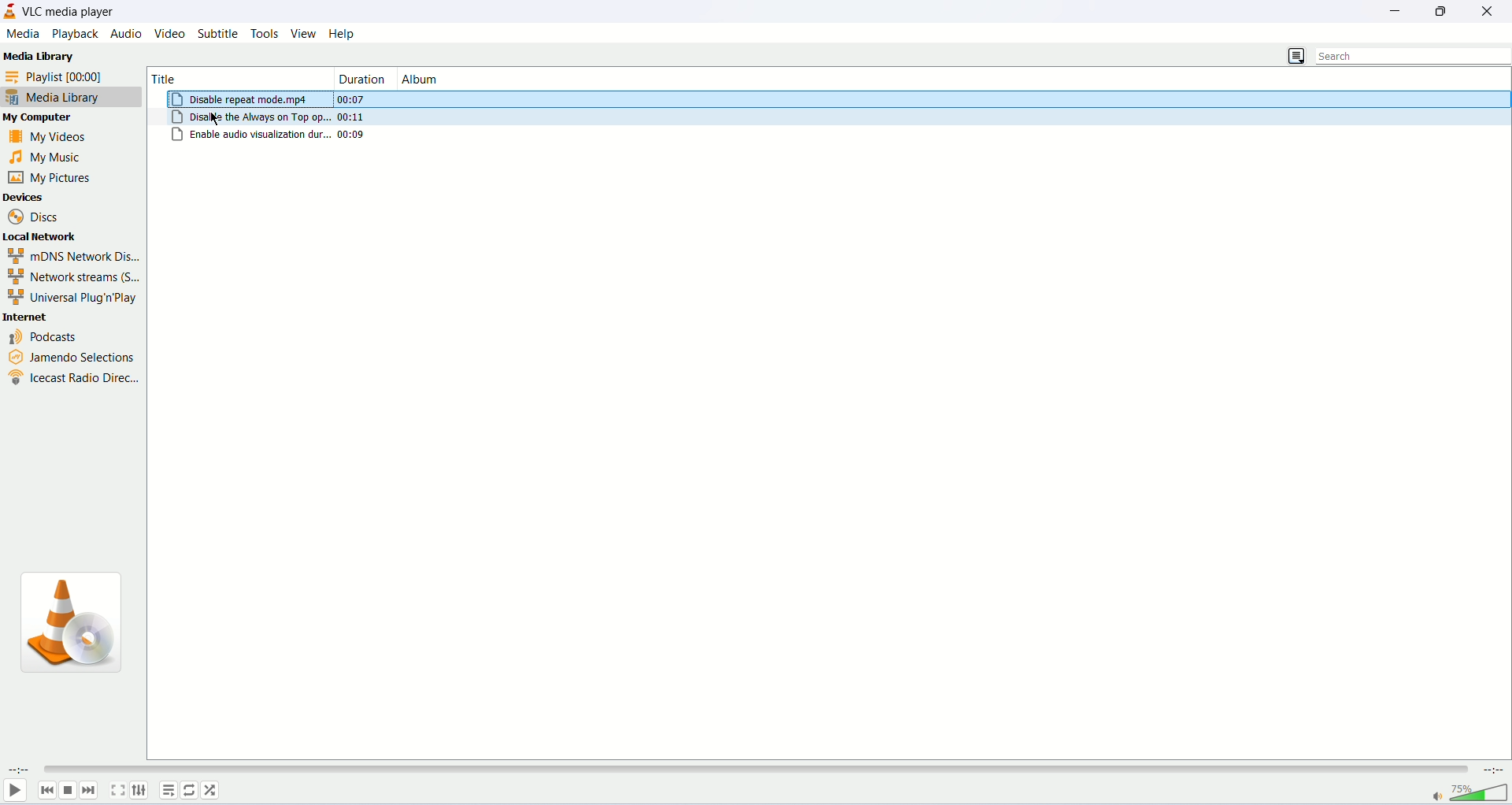 The width and height of the screenshot is (1512, 805). Describe the element at coordinates (72, 98) in the screenshot. I see `media library` at that location.